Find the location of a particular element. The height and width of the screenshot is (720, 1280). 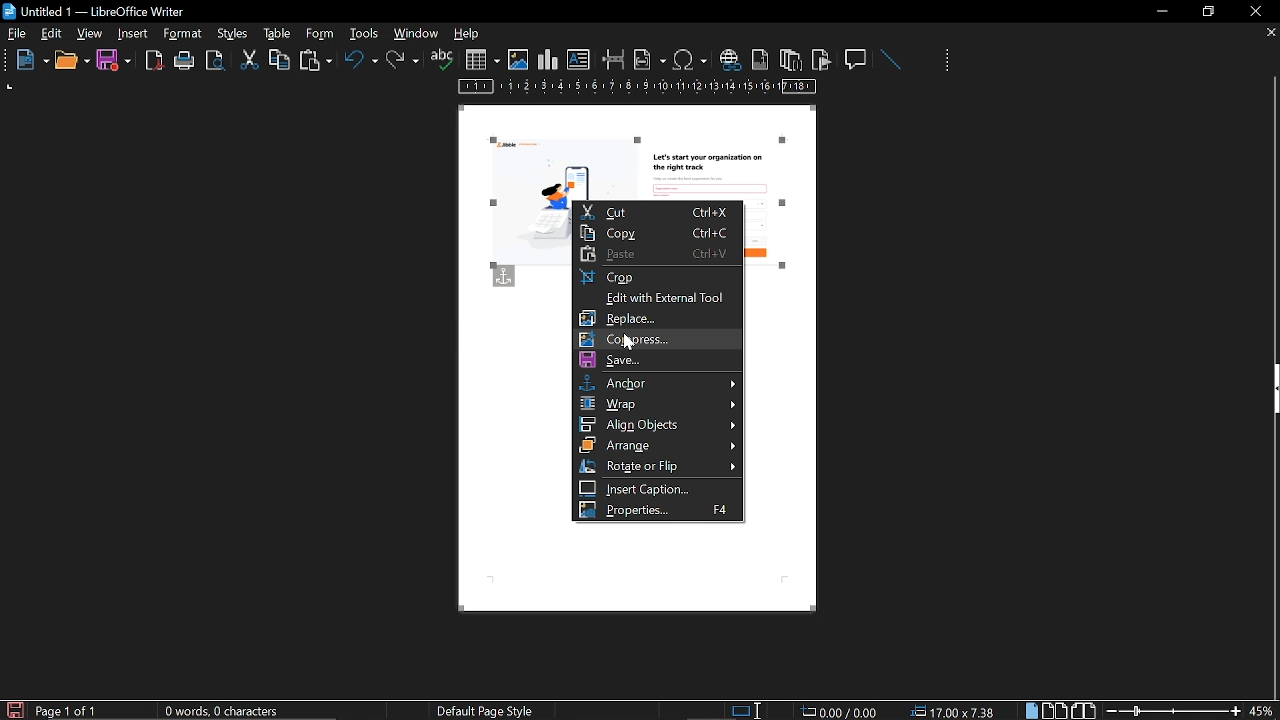

copy is located at coordinates (279, 59).